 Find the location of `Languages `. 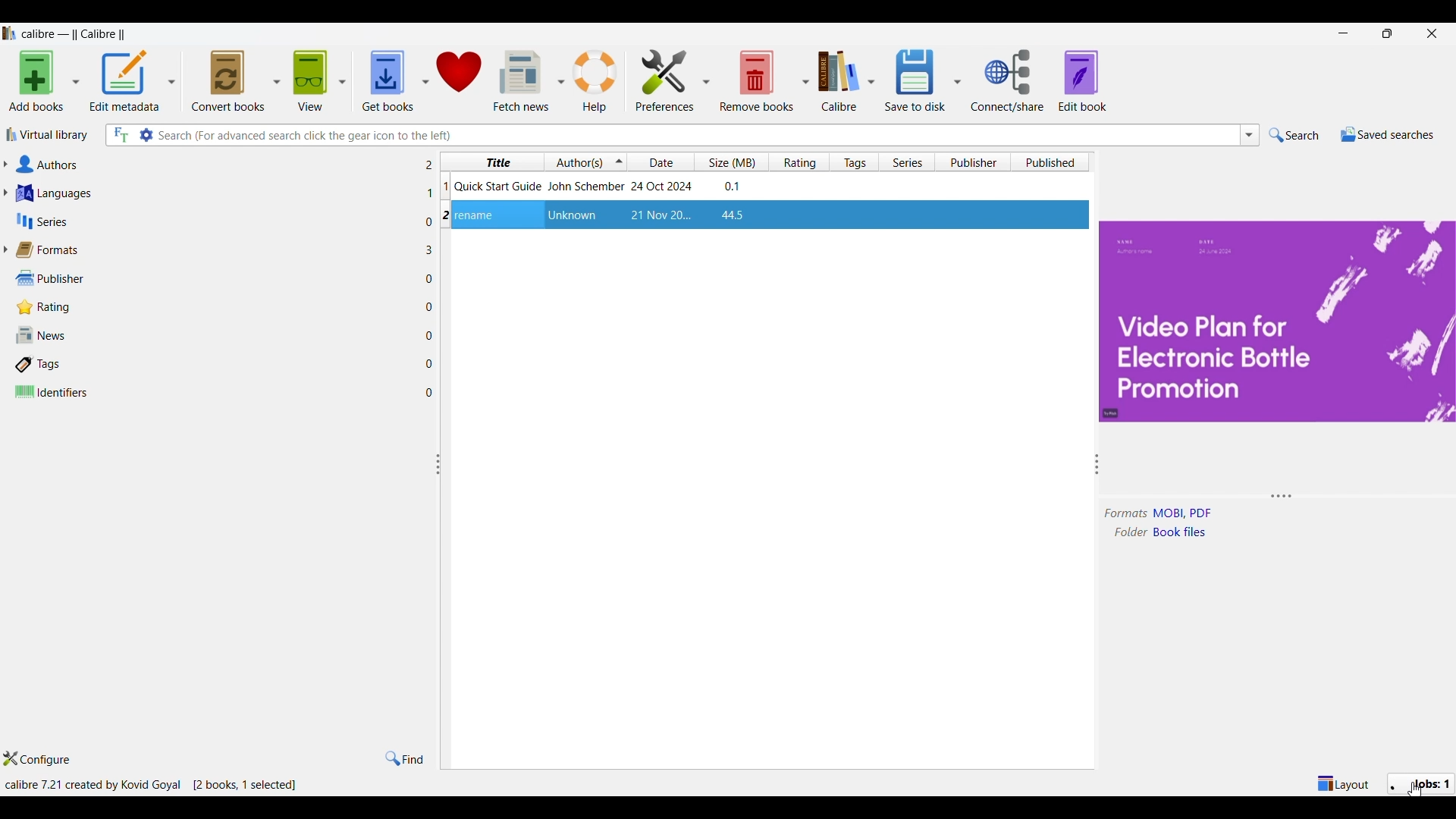

Languages  is located at coordinates (215, 193).